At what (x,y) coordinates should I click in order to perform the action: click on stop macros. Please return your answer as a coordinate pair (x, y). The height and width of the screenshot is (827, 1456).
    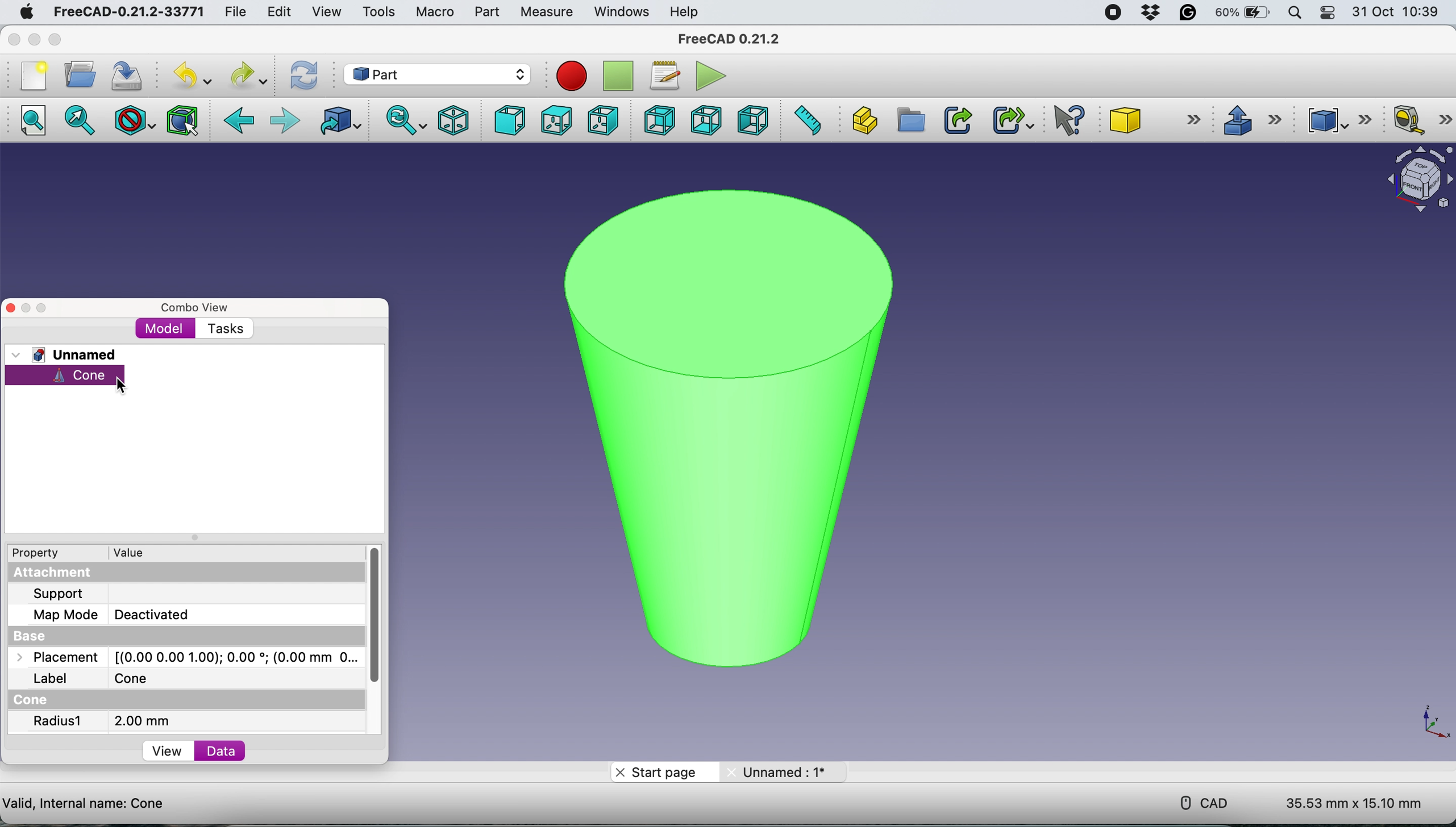
    Looking at the image, I should click on (568, 76).